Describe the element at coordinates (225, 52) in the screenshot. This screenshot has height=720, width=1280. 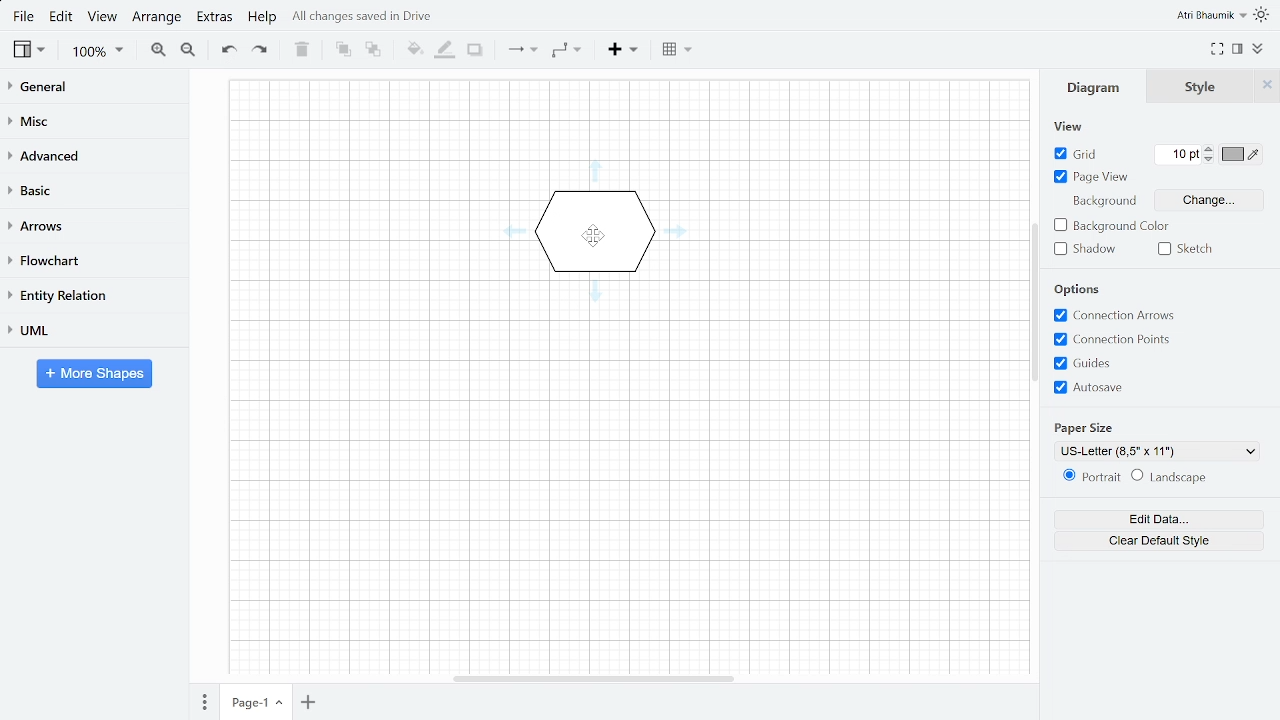
I see `Undo` at that location.